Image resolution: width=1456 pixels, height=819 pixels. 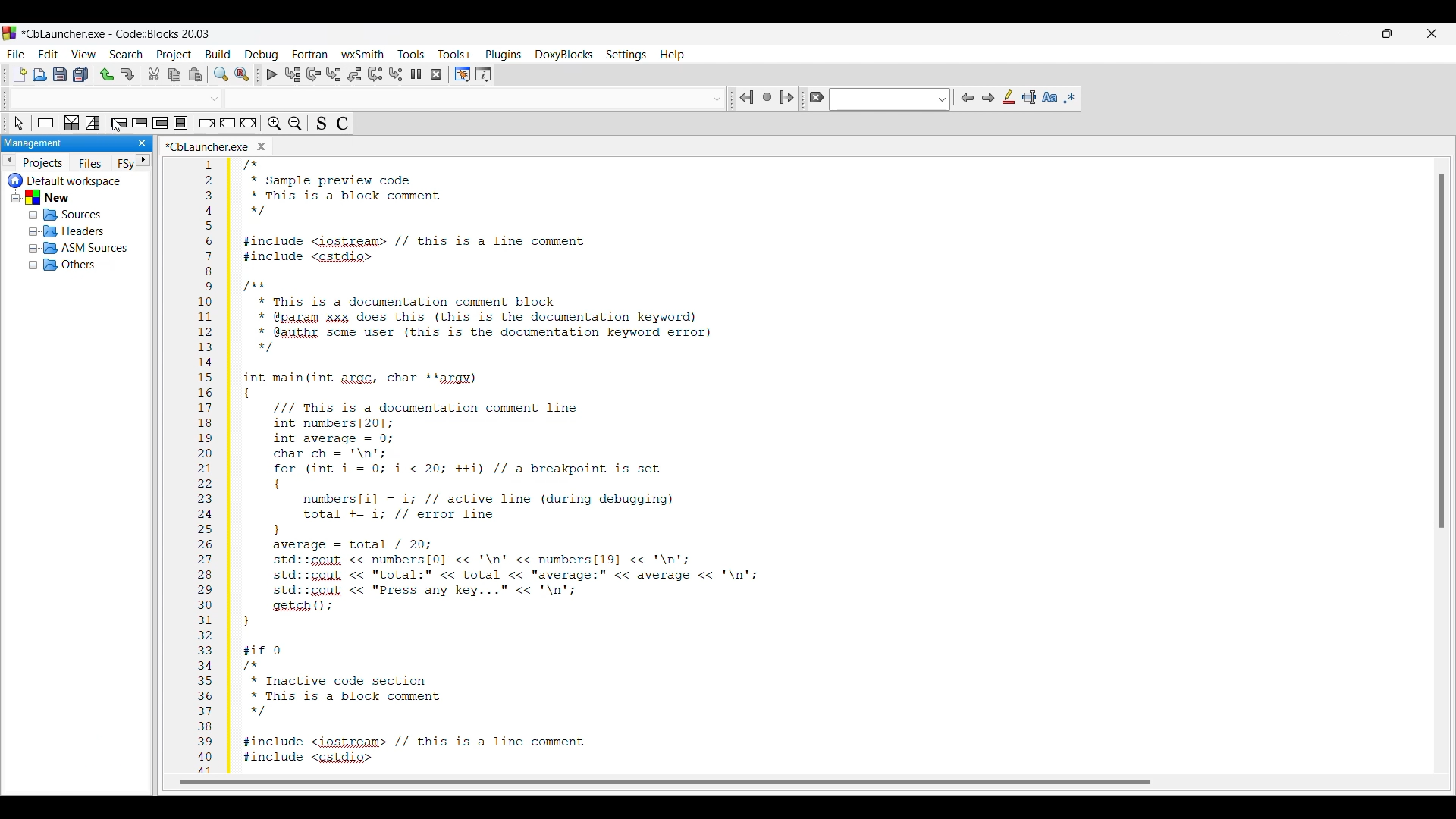 What do you see at coordinates (60, 74) in the screenshot?
I see `Save` at bounding box center [60, 74].